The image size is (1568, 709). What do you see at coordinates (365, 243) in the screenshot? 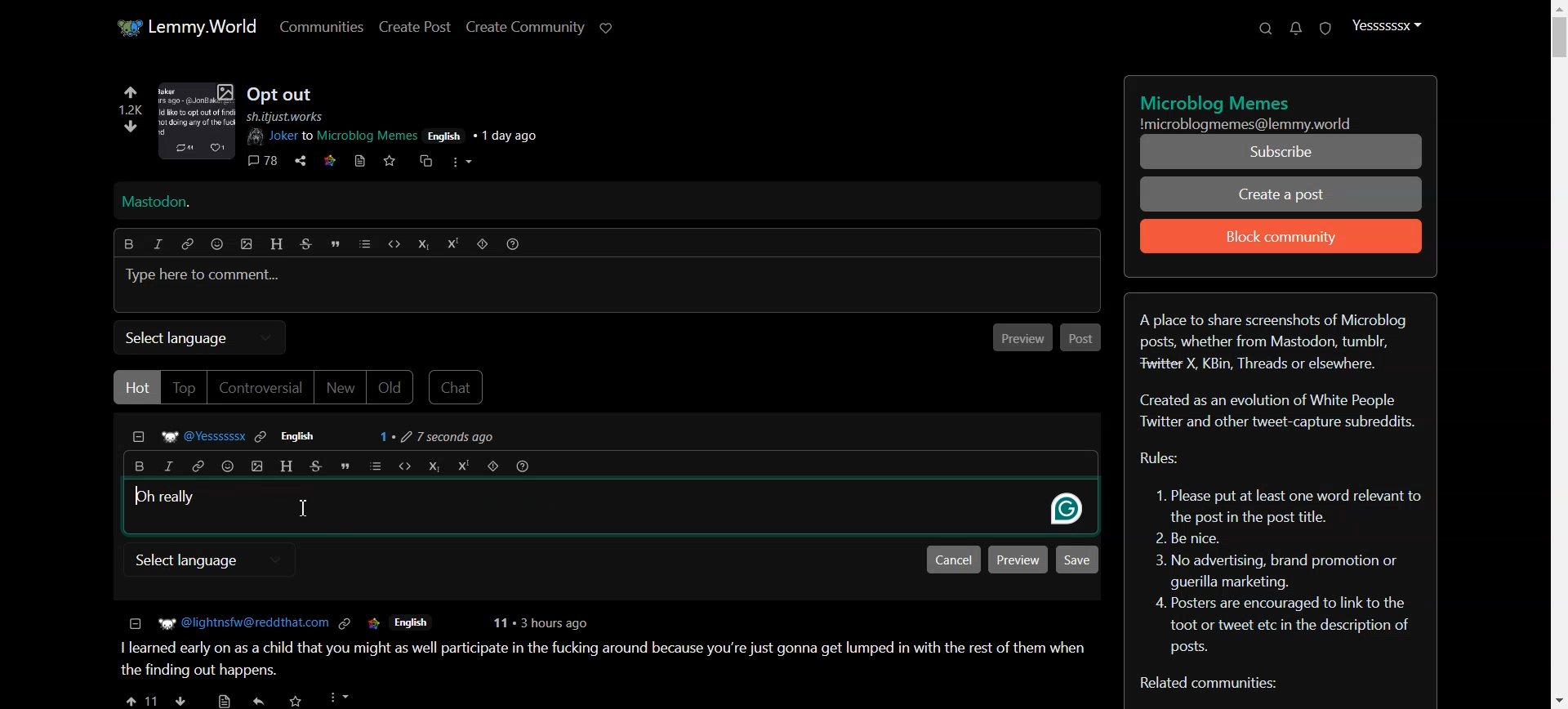
I see `list` at bounding box center [365, 243].